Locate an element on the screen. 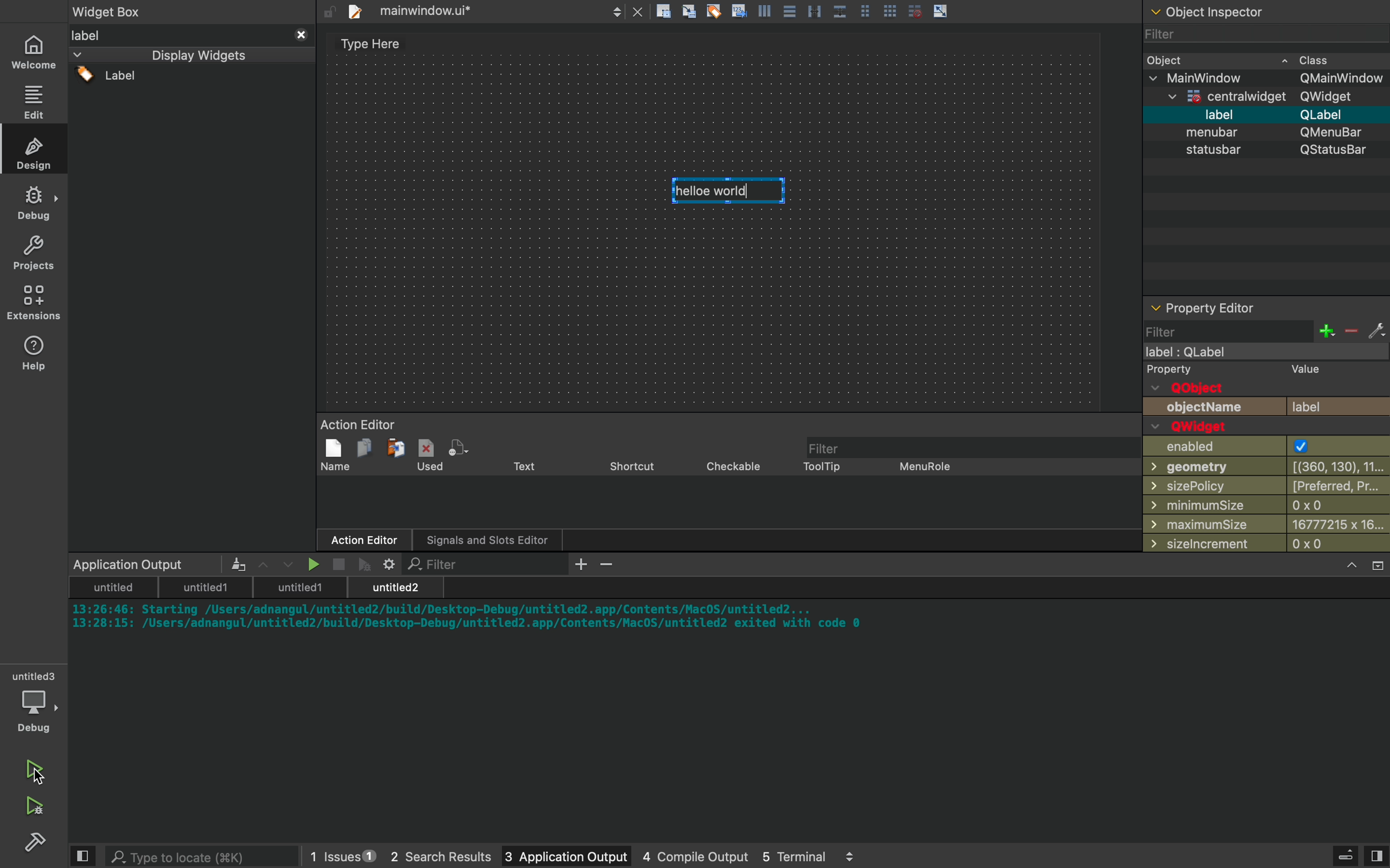 This screenshot has width=1390, height=868. Text cursor is located at coordinates (731, 192).